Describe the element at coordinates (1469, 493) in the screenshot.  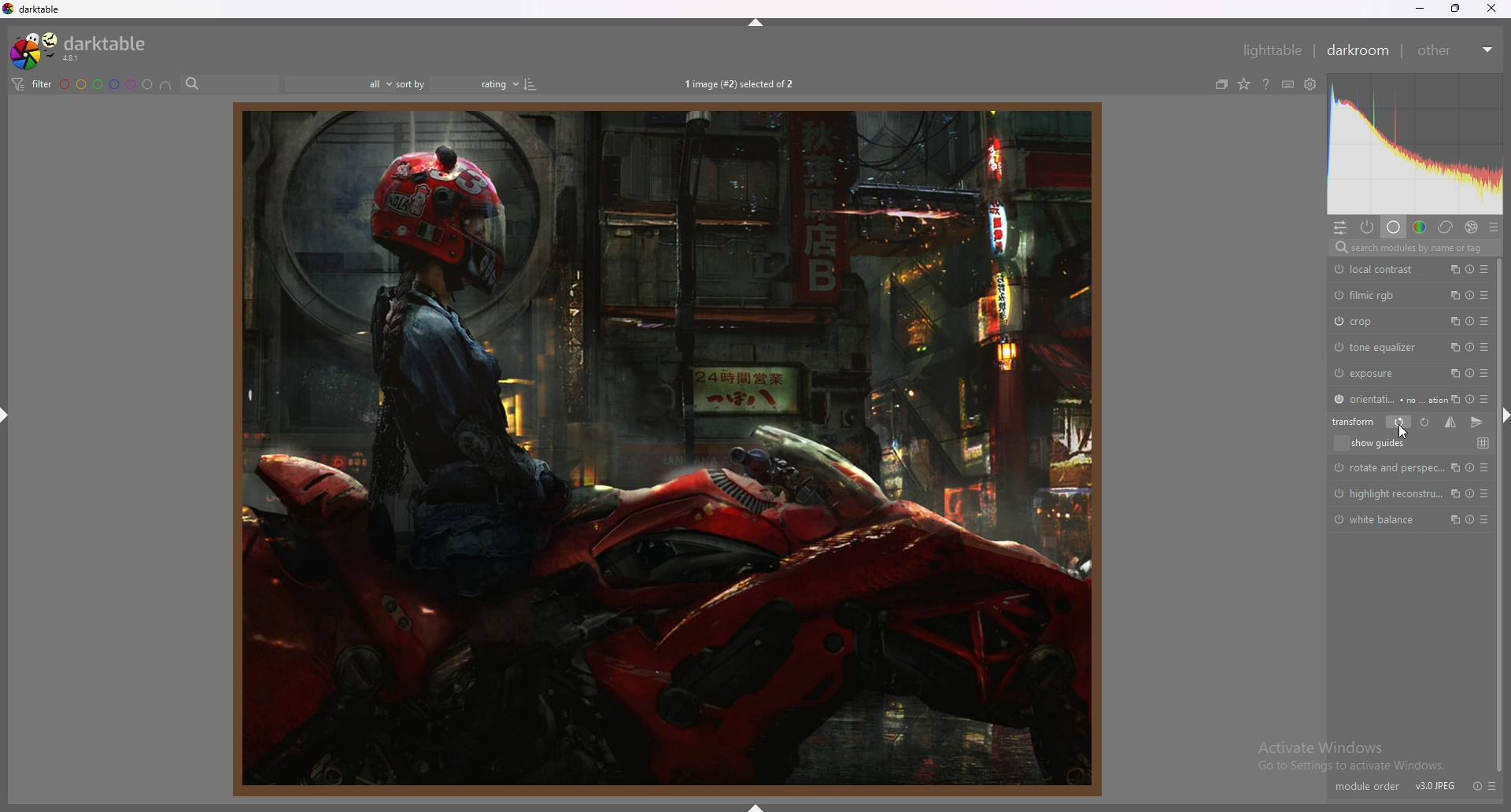
I see `reset` at that location.